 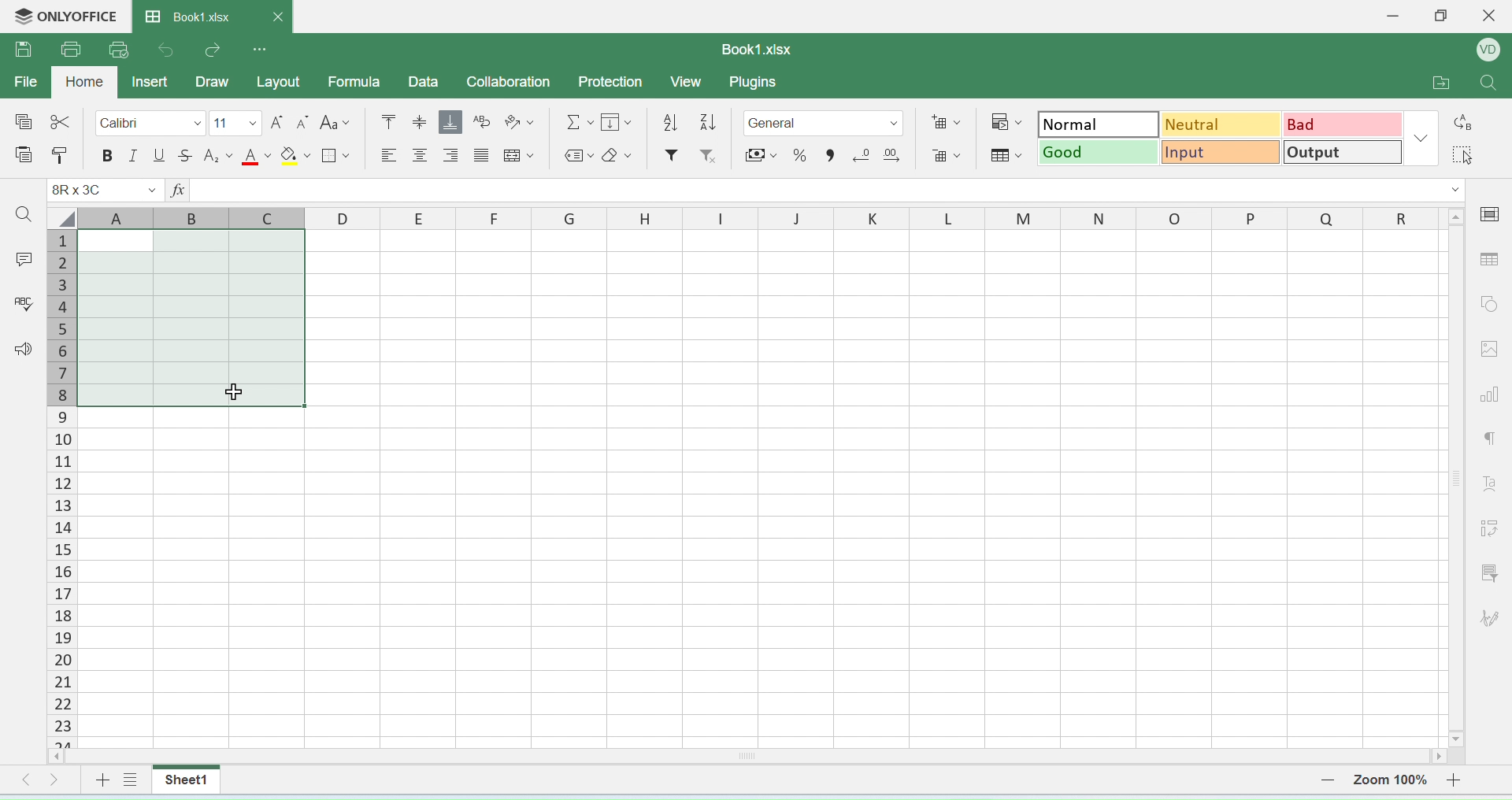 What do you see at coordinates (297, 154) in the screenshot?
I see `fill paint` at bounding box center [297, 154].